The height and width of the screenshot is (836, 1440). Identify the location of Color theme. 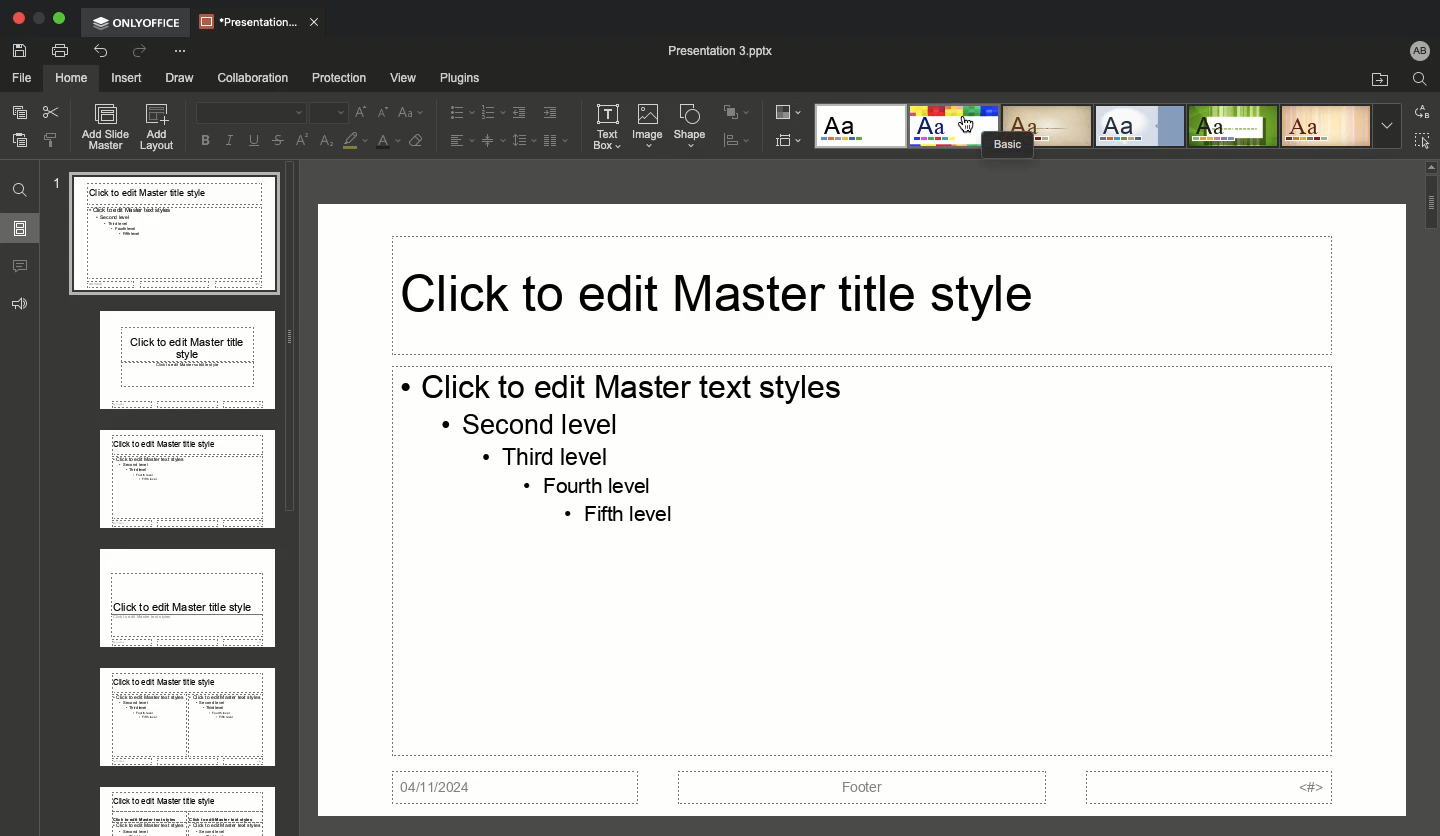
(788, 111).